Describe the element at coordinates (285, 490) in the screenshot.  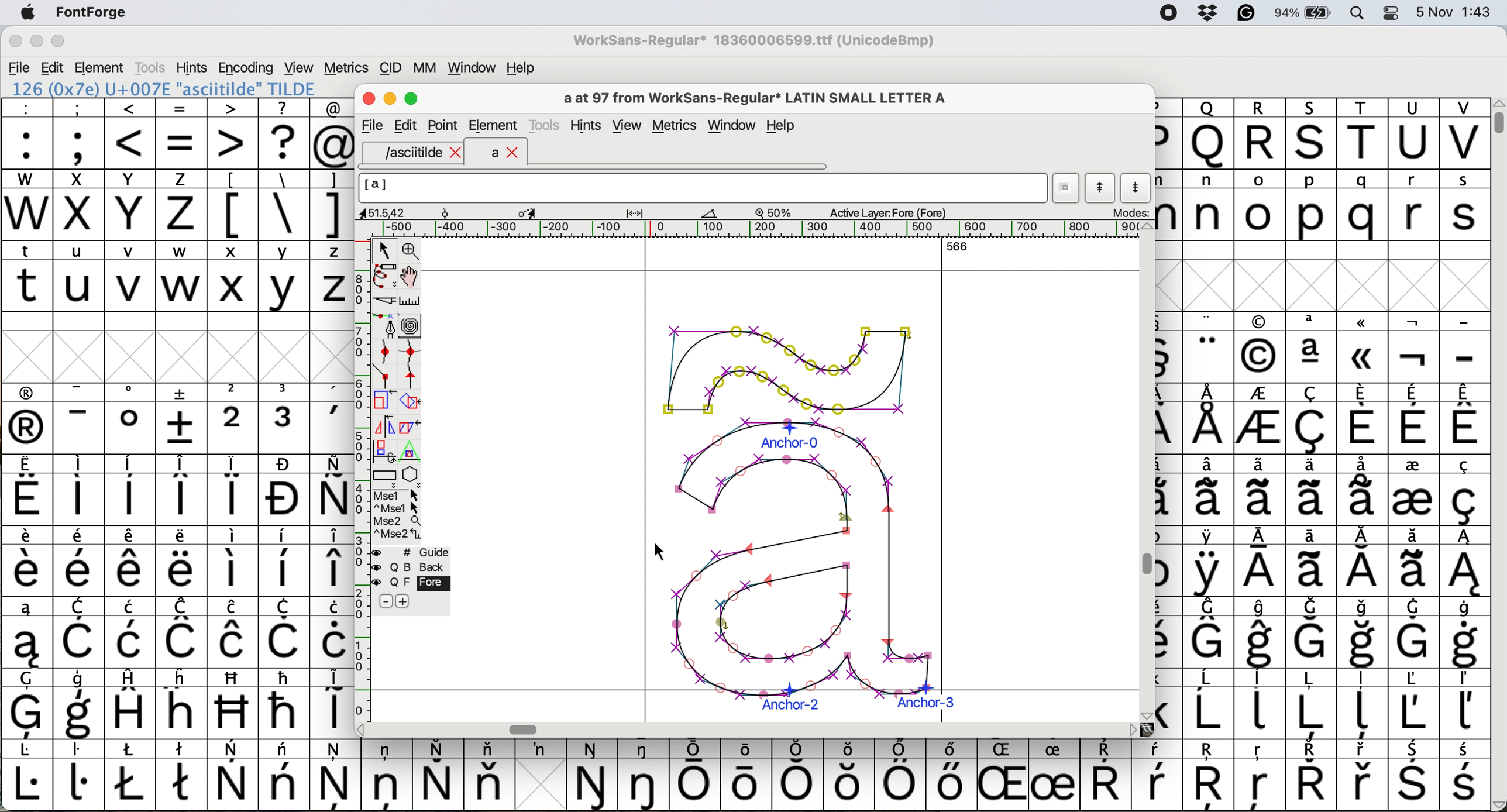
I see `symbol` at that location.